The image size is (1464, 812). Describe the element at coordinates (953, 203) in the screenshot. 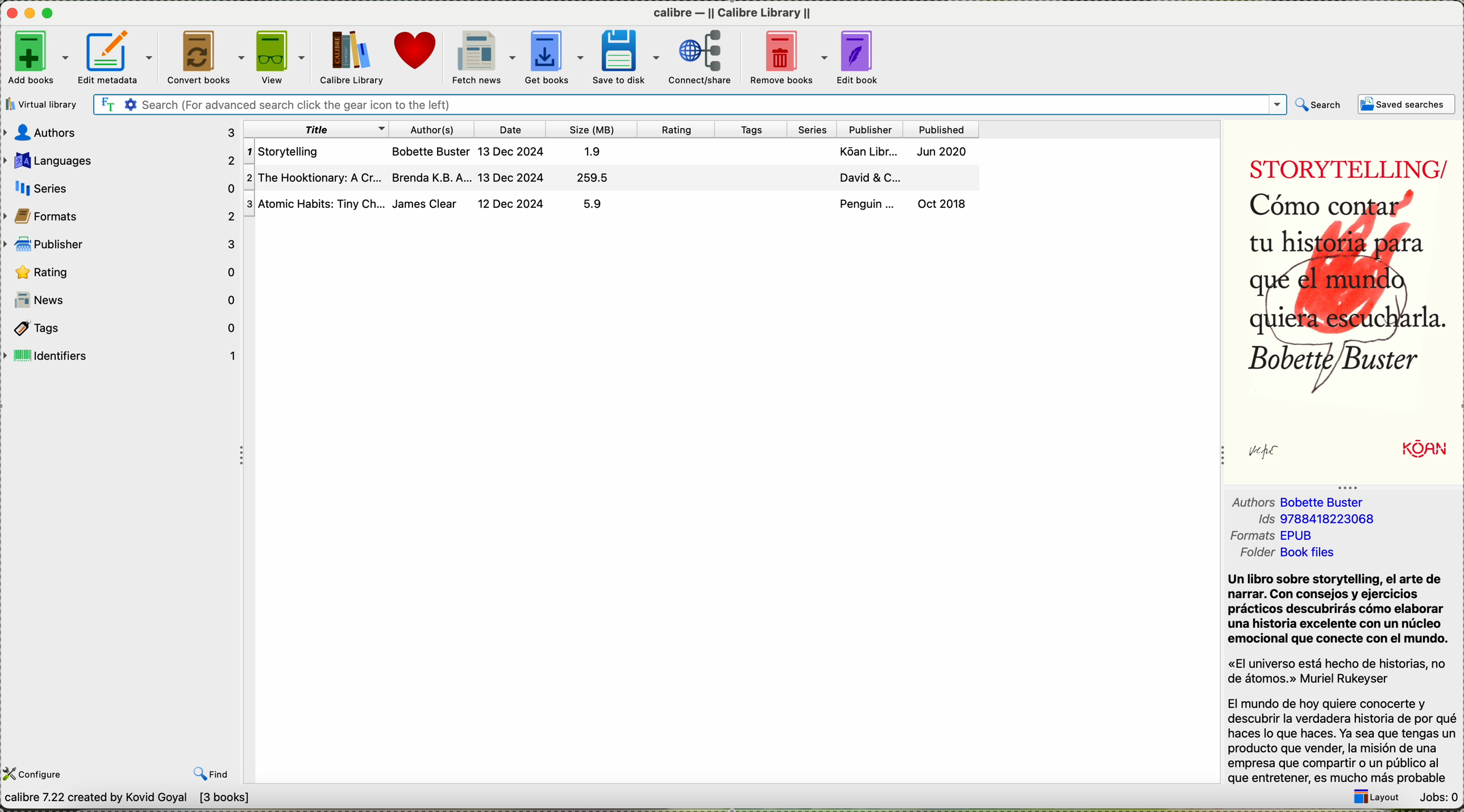

I see `Oct 2018` at that location.